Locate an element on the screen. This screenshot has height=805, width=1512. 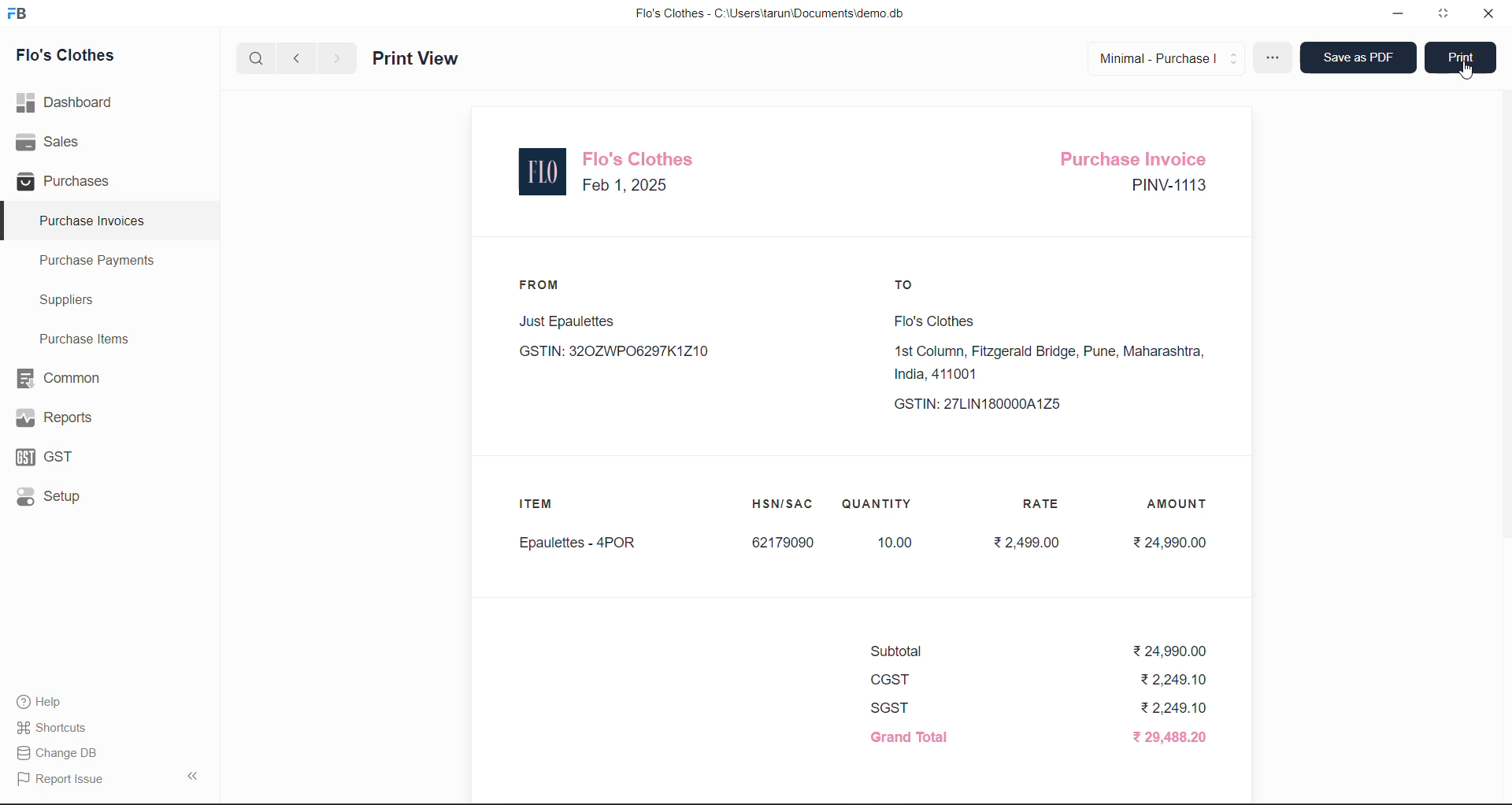
Grand Total ₹ 29,488.20 is located at coordinates (1044, 736).